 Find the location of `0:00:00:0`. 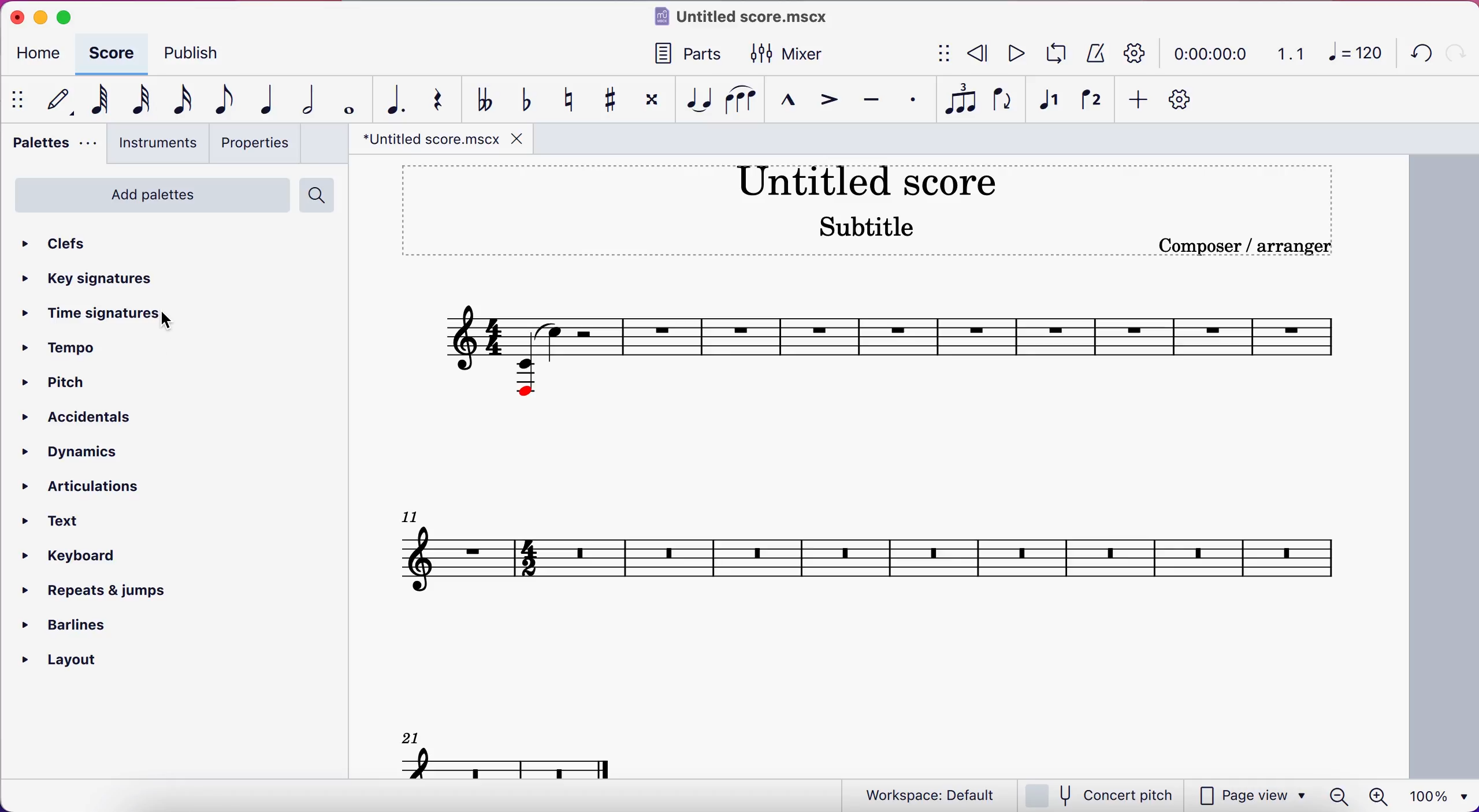

0:00:00:0 is located at coordinates (1211, 54).